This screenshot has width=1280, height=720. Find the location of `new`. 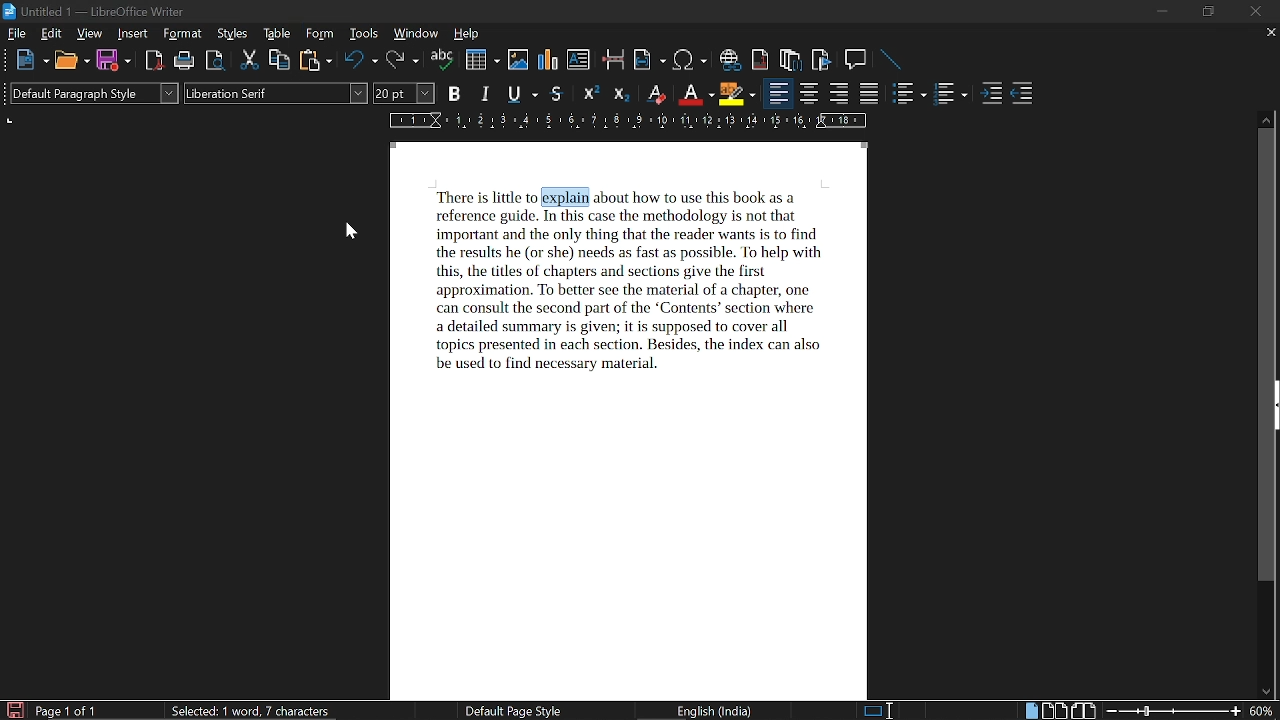

new is located at coordinates (30, 60).